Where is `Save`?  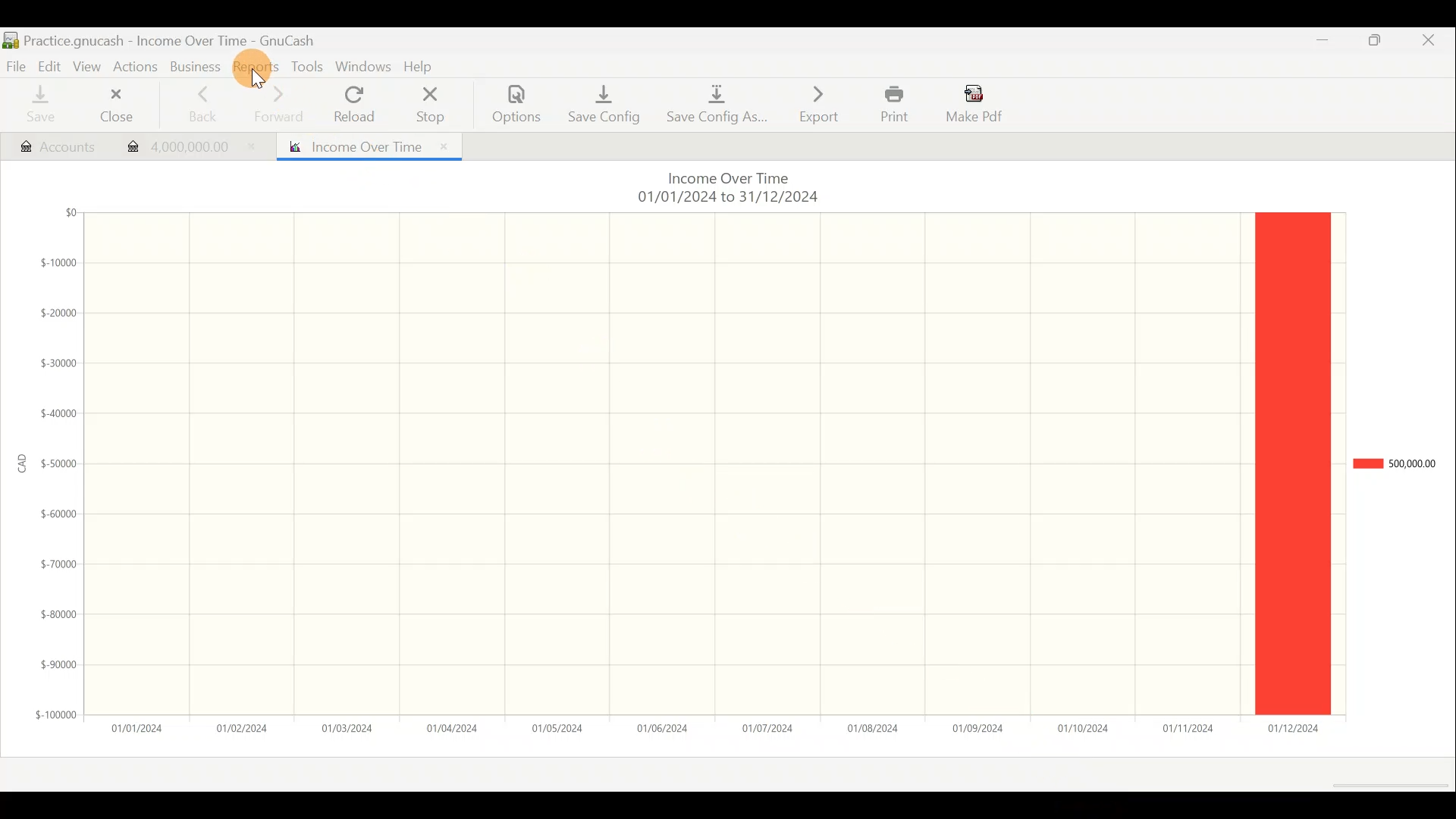
Save is located at coordinates (40, 106).